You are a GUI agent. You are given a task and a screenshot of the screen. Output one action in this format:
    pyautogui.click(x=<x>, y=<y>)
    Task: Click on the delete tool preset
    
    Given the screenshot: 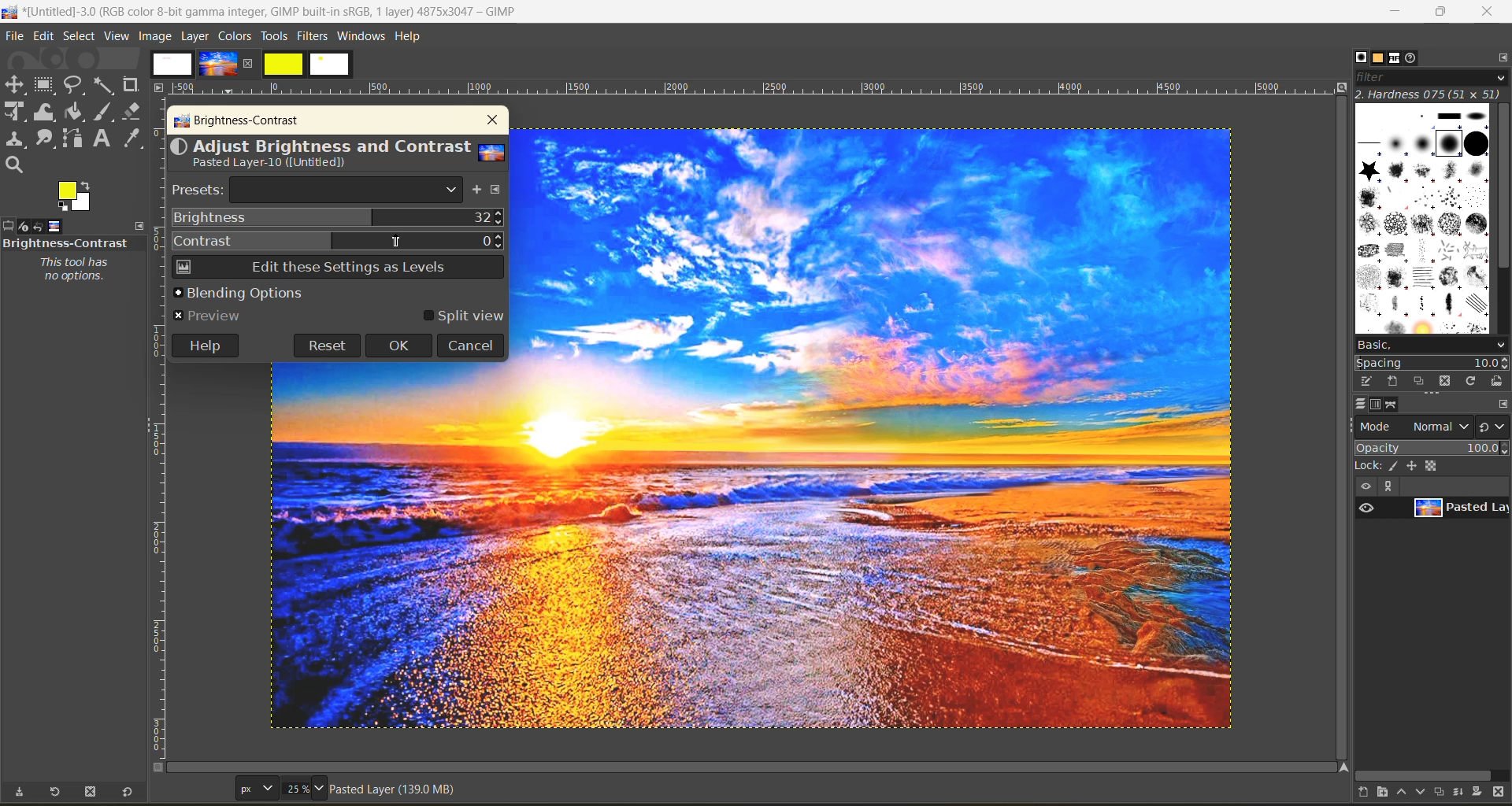 What is the action you would take?
    pyautogui.click(x=93, y=792)
    